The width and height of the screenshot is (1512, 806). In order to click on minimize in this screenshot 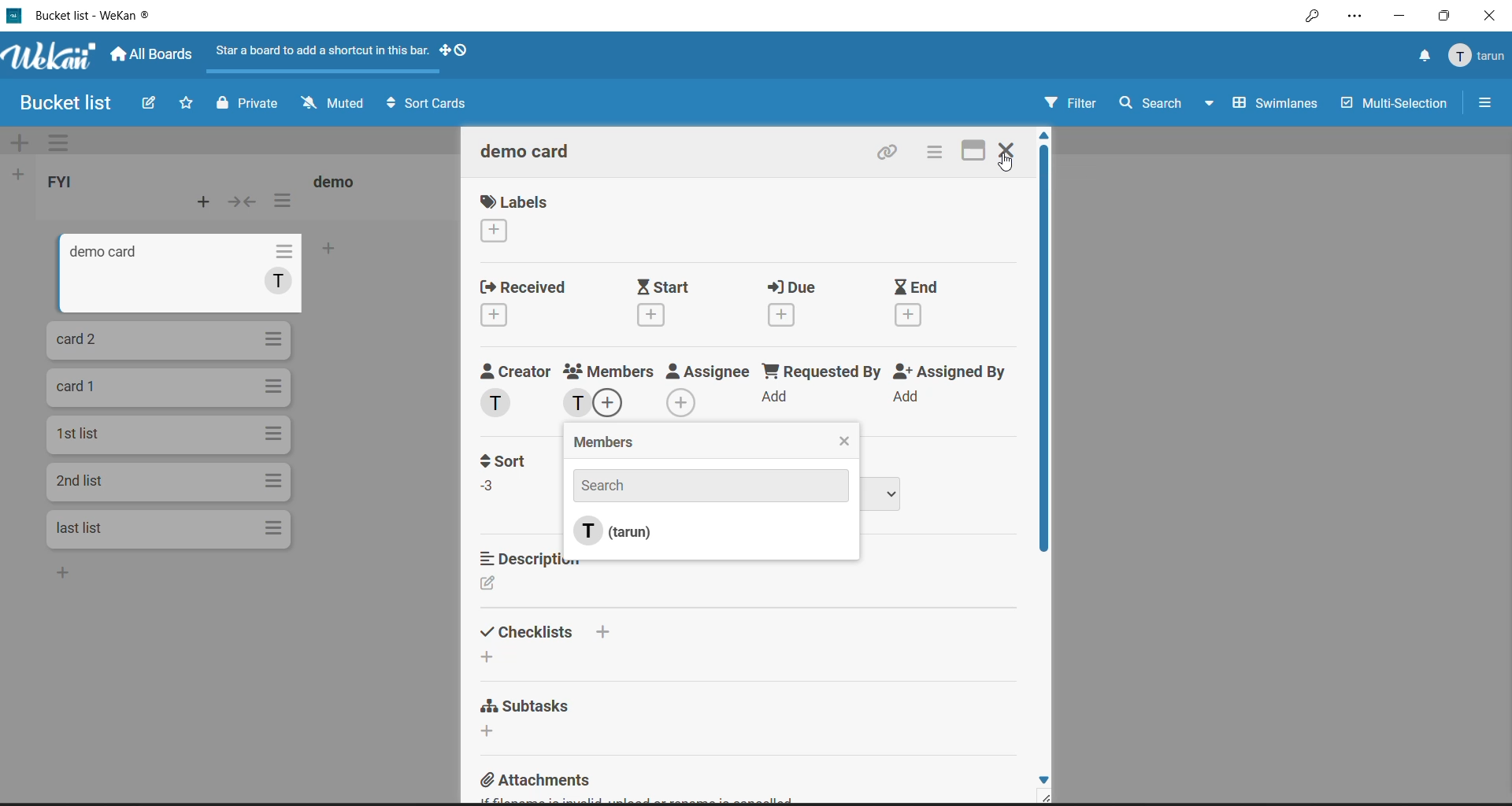, I will do `click(1395, 16)`.